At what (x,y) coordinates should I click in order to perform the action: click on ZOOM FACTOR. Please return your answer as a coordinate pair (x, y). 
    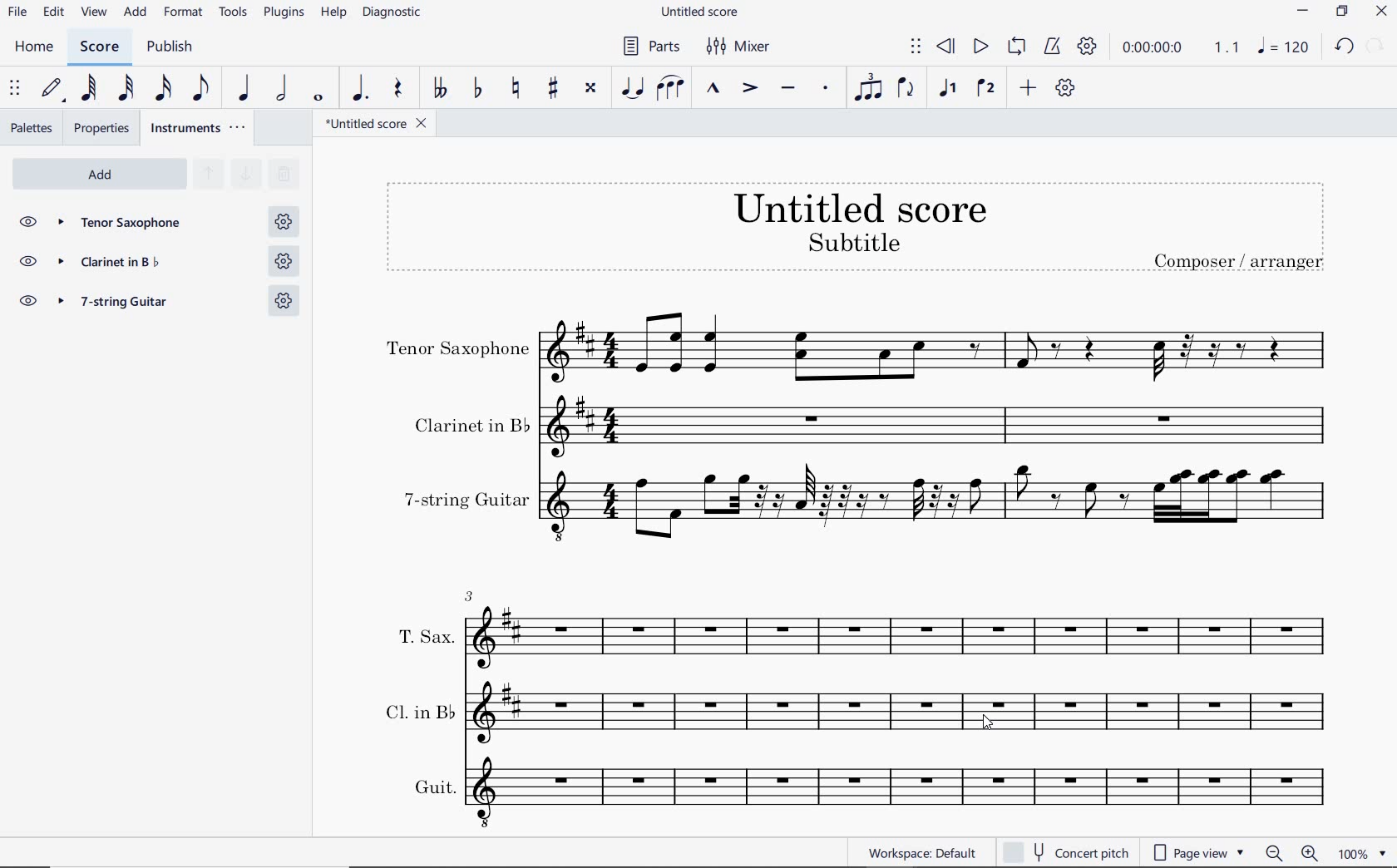
    Looking at the image, I should click on (1361, 852).